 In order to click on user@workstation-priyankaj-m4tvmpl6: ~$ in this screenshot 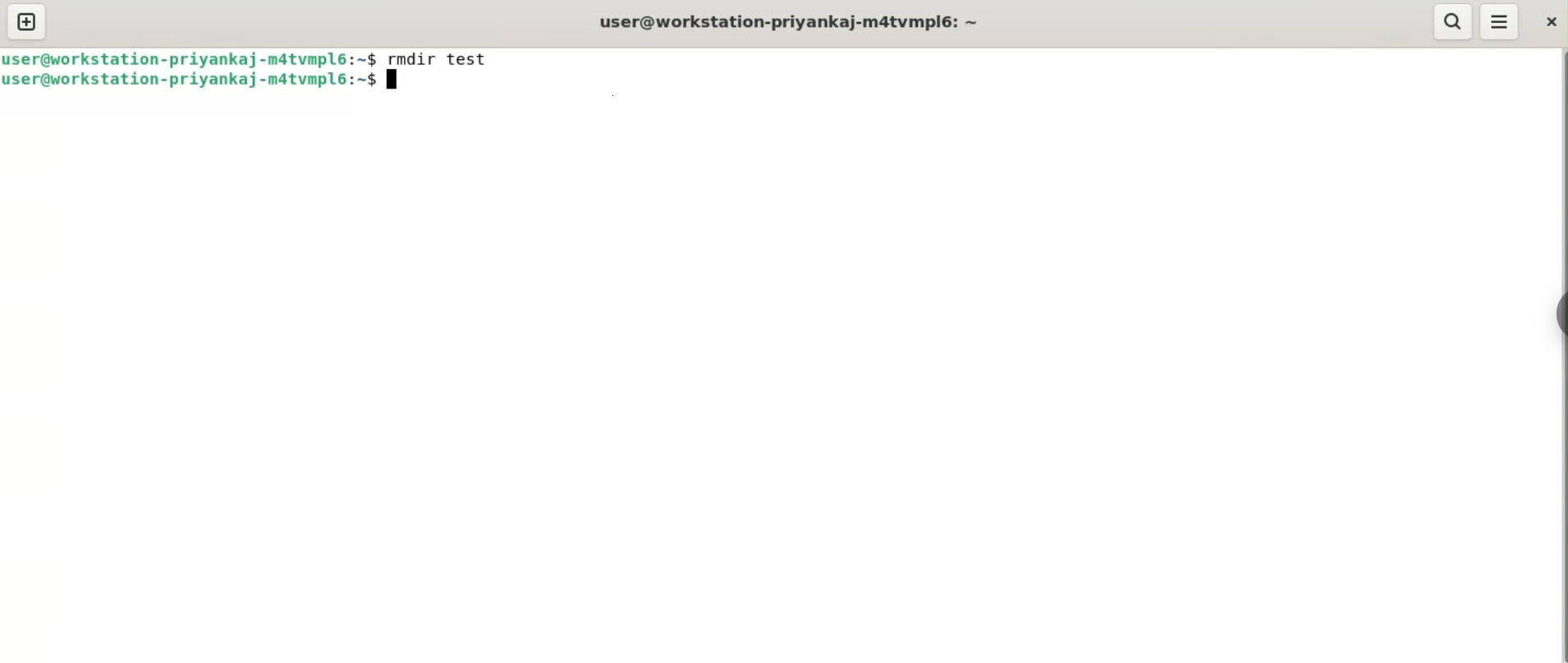, I will do `click(193, 59)`.